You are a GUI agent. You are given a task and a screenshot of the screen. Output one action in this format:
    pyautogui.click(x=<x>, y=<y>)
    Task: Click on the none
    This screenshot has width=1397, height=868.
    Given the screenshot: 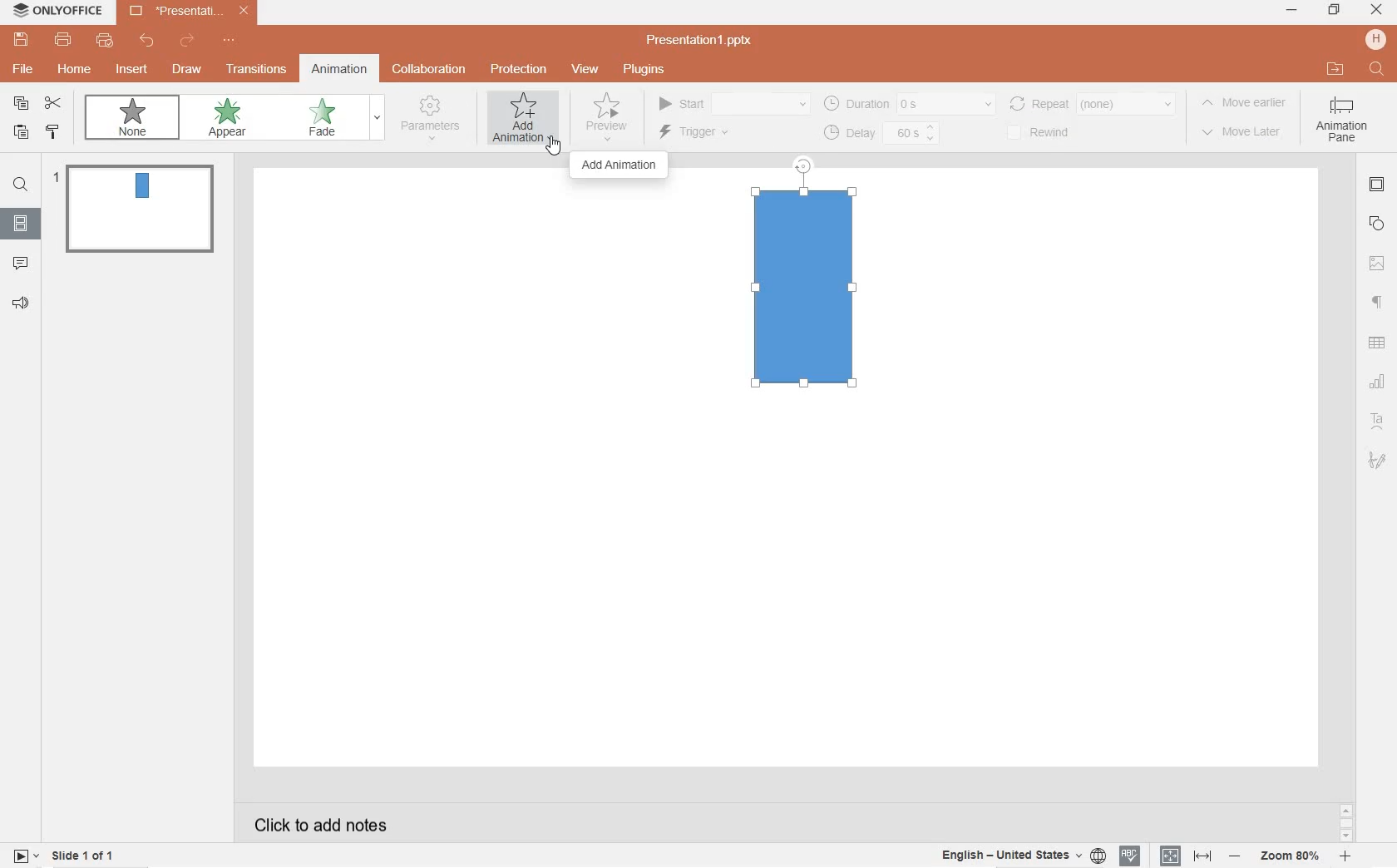 What is the action you would take?
    pyautogui.click(x=132, y=116)
    